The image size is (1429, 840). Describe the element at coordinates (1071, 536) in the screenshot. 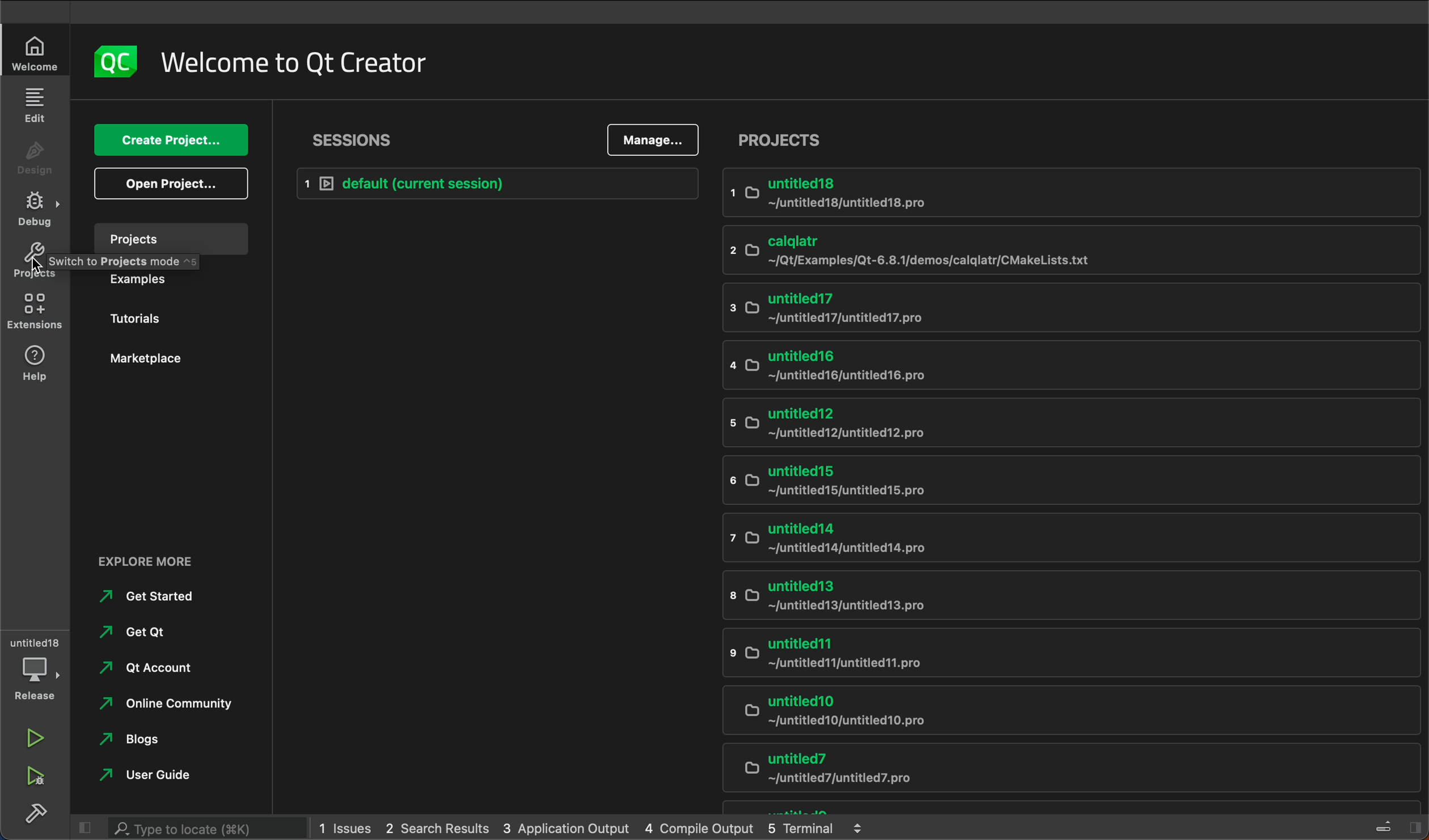

I see `untitled14` at that location.